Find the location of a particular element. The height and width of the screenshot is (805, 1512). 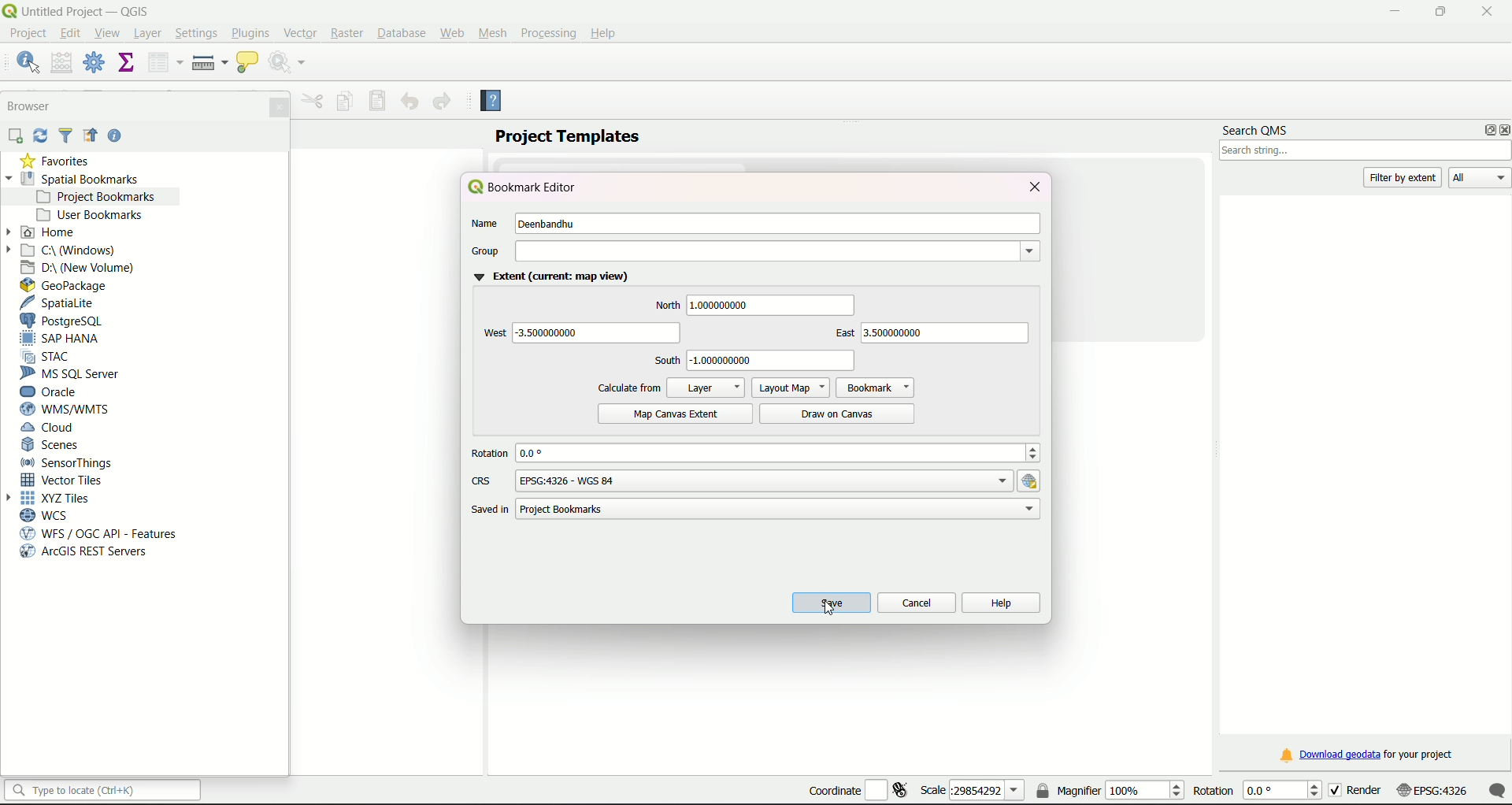

Vector Tiles is located at coordinates (66, 480).